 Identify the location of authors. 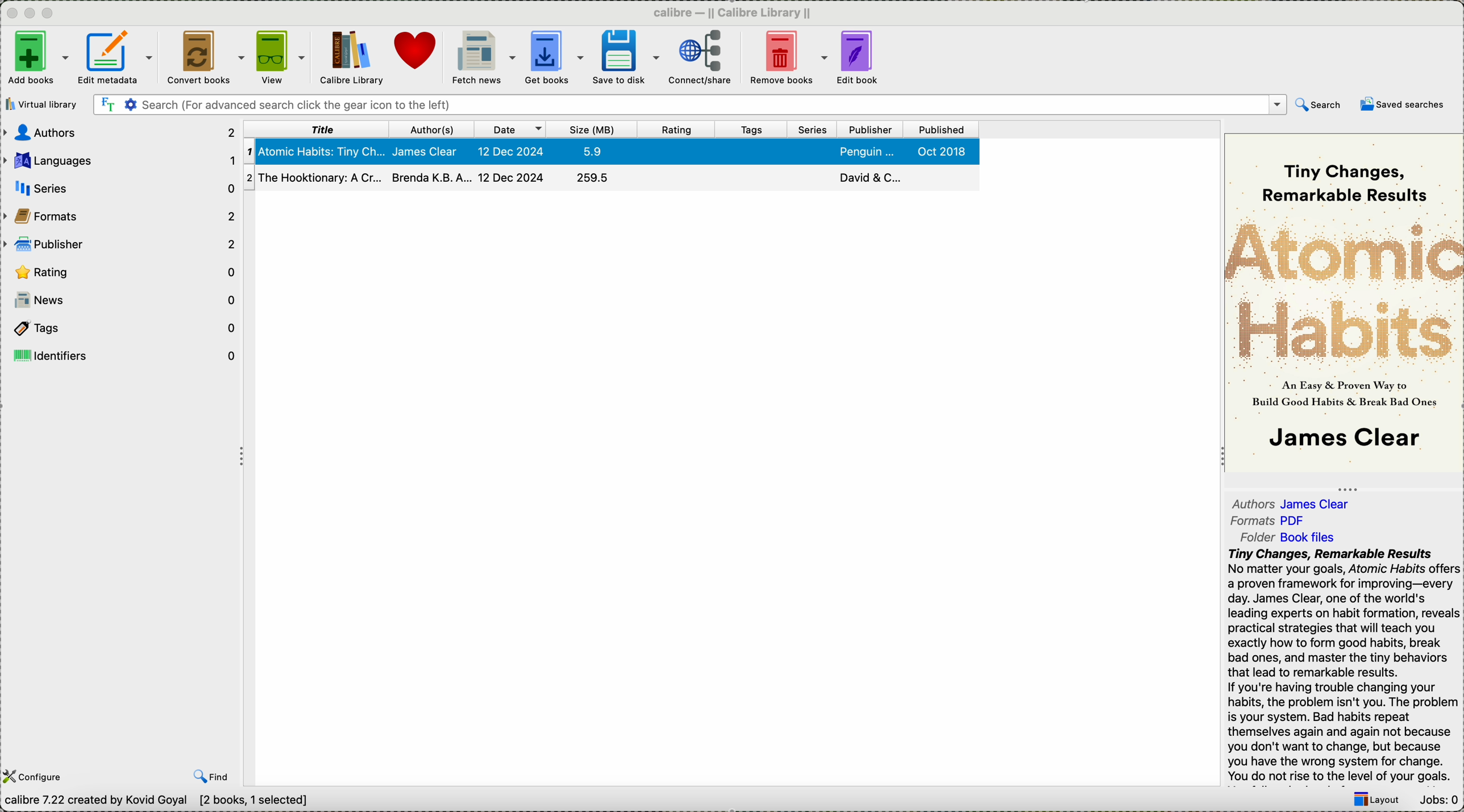
(118, 134).